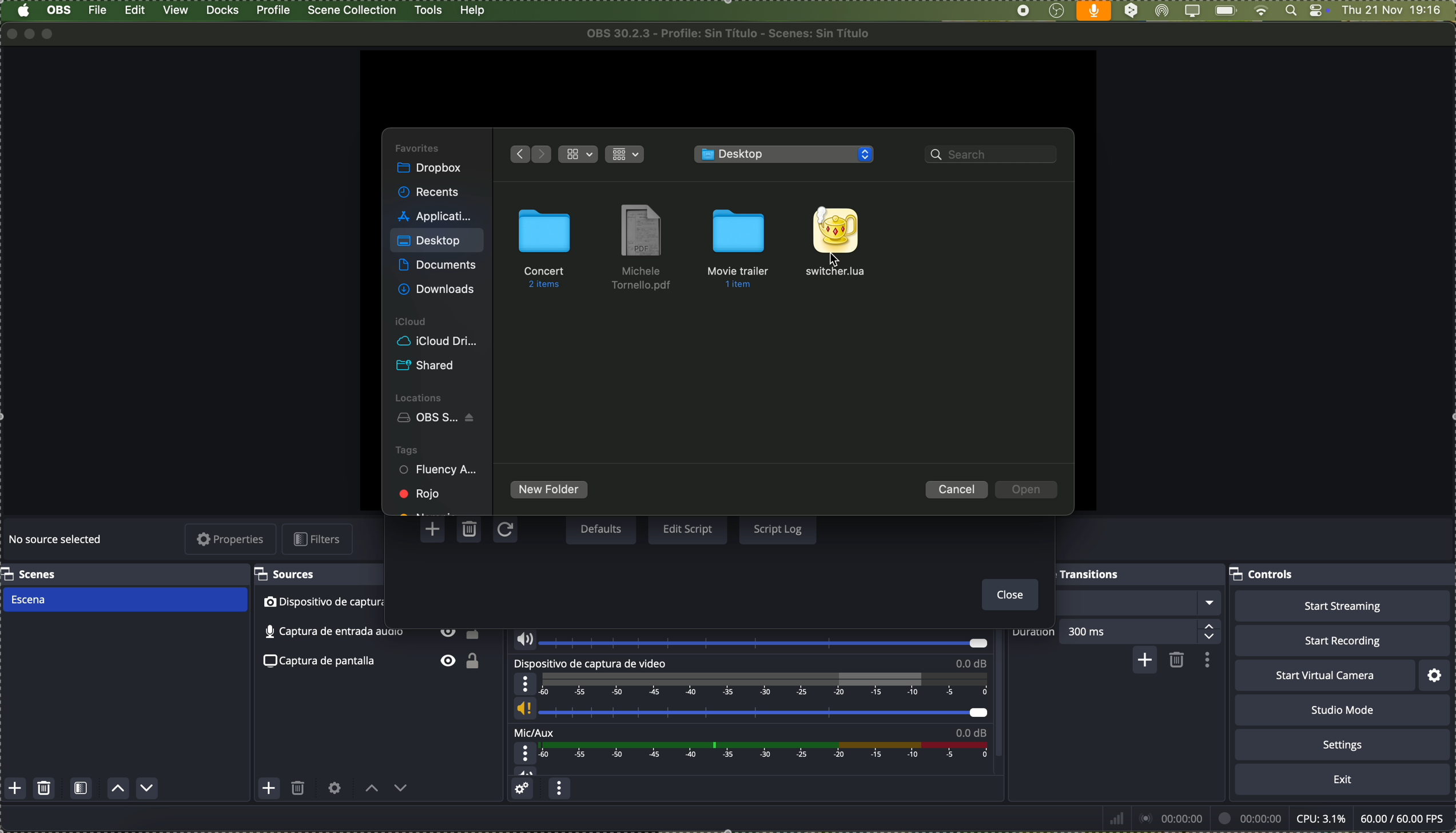  I want to click on move source up, so click(372, 789).